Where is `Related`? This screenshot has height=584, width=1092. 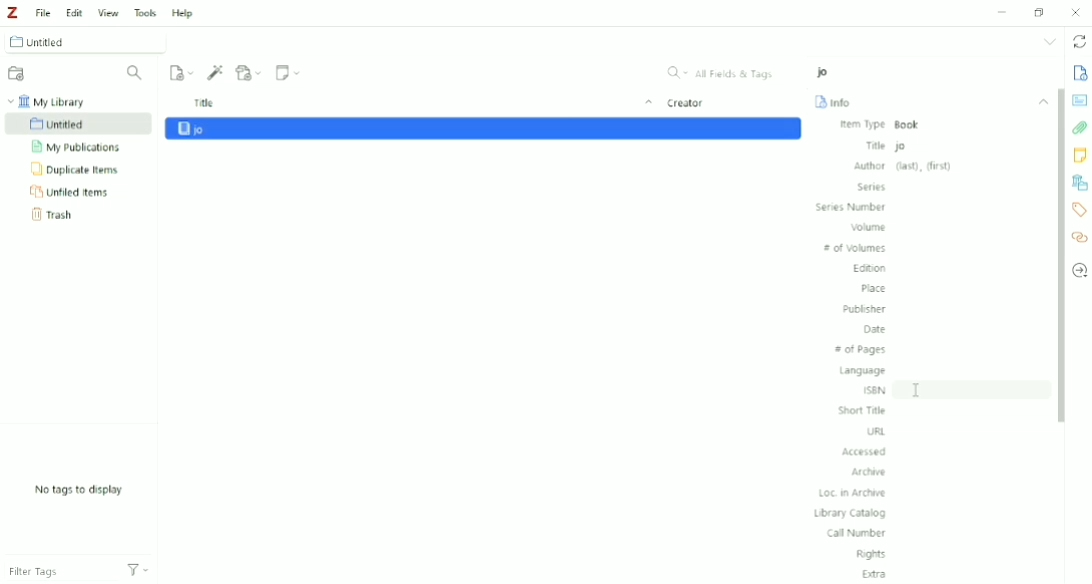 Related is located at coordinates (1080, 239).